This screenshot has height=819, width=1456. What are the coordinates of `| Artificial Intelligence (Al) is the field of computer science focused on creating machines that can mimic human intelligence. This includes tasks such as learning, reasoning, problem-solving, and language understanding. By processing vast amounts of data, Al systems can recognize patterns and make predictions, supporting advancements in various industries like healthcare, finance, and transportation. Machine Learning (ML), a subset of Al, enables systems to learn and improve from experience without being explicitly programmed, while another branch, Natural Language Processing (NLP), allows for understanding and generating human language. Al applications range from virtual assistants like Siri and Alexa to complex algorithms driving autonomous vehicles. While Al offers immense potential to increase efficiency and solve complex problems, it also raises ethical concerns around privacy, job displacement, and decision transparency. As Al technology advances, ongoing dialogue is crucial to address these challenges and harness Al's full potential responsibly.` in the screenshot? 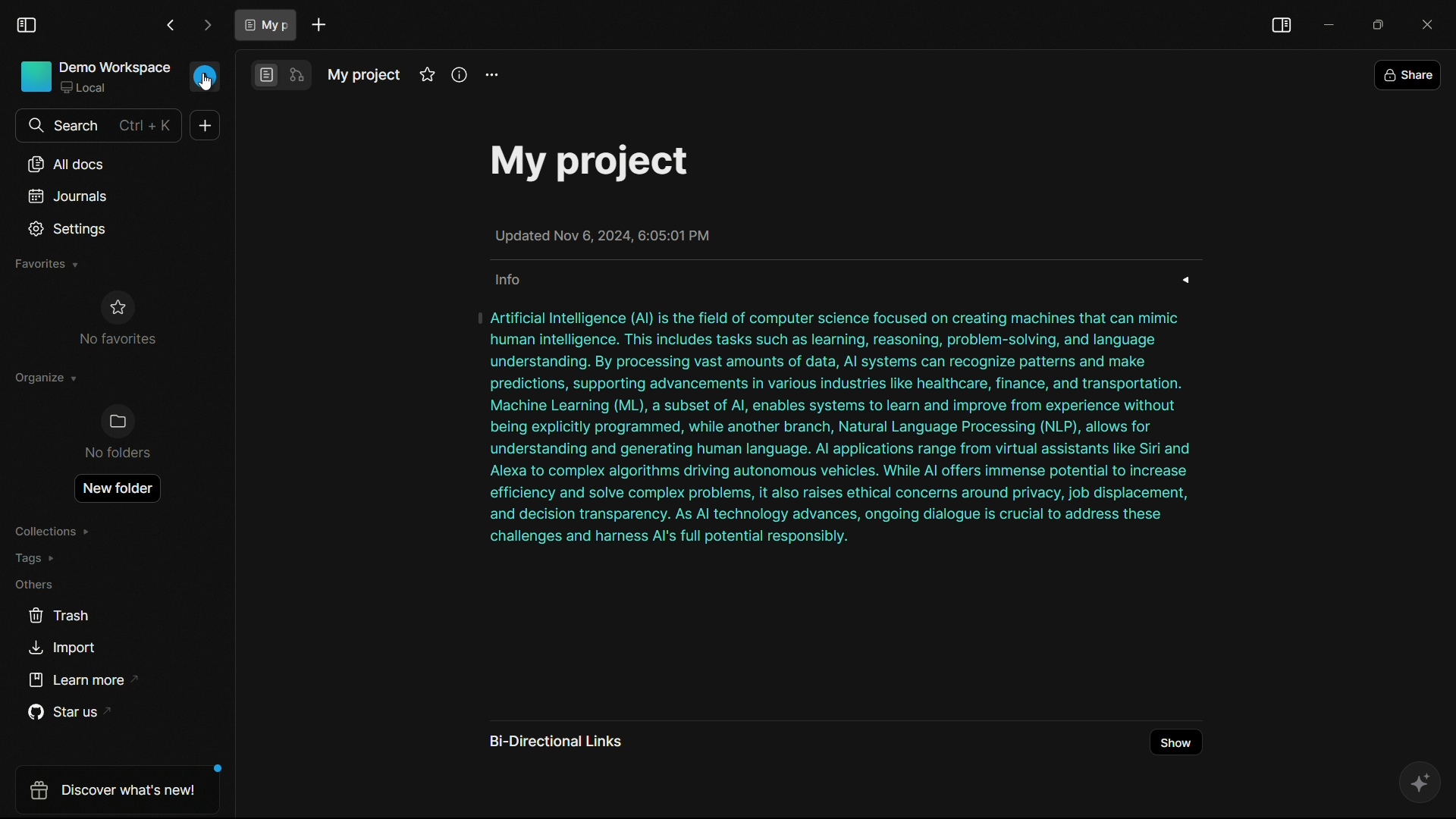 It's located at (849, 436).